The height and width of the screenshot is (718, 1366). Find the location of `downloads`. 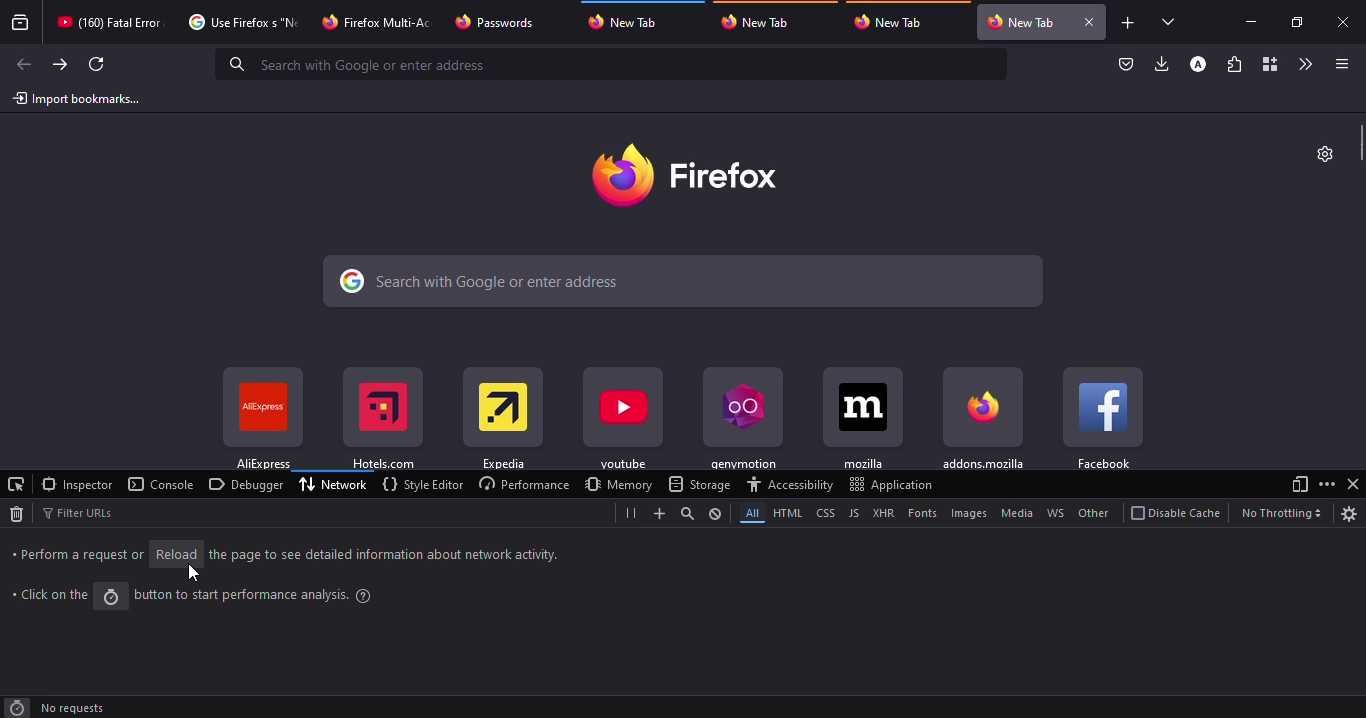

downloads is located at coordinates (1162, 64).